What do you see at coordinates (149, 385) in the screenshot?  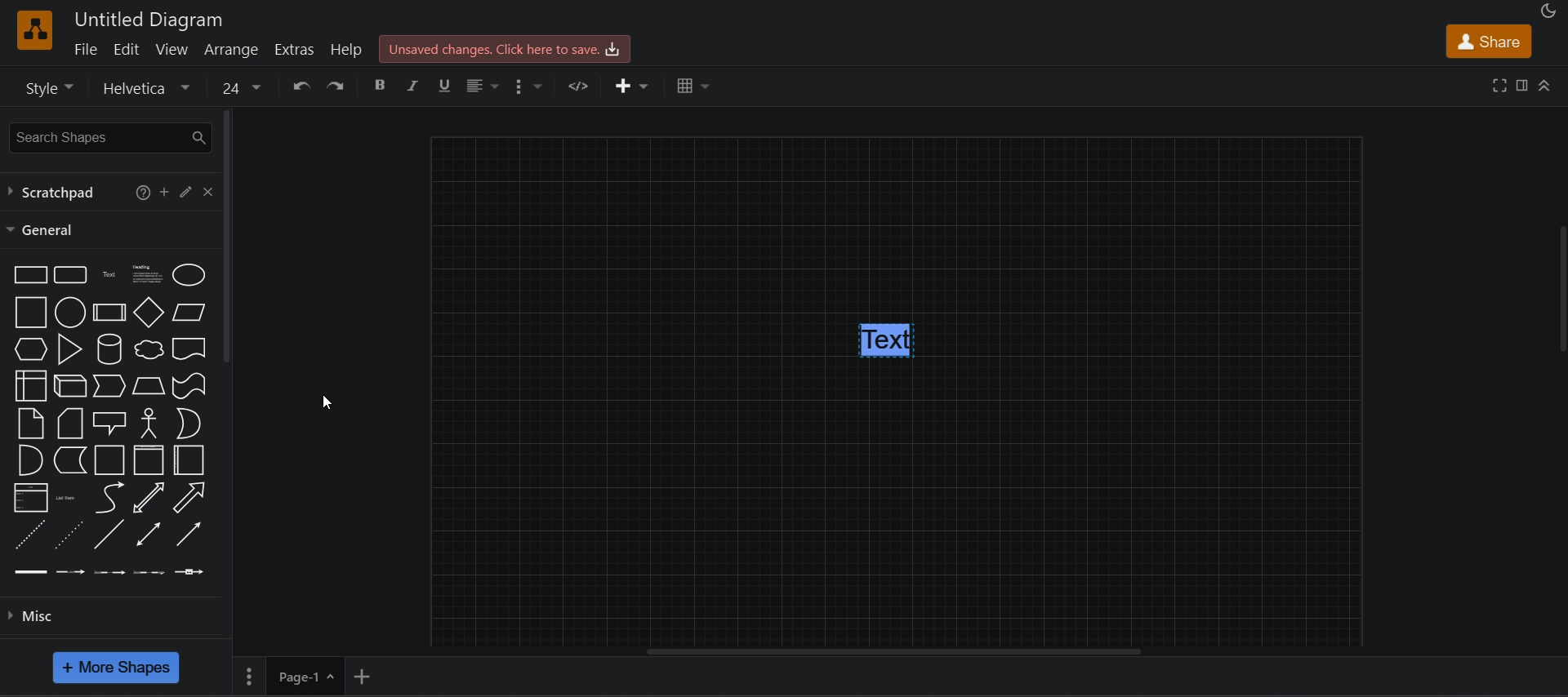 I see `Trapezoid` at bounding box center [149, 385].